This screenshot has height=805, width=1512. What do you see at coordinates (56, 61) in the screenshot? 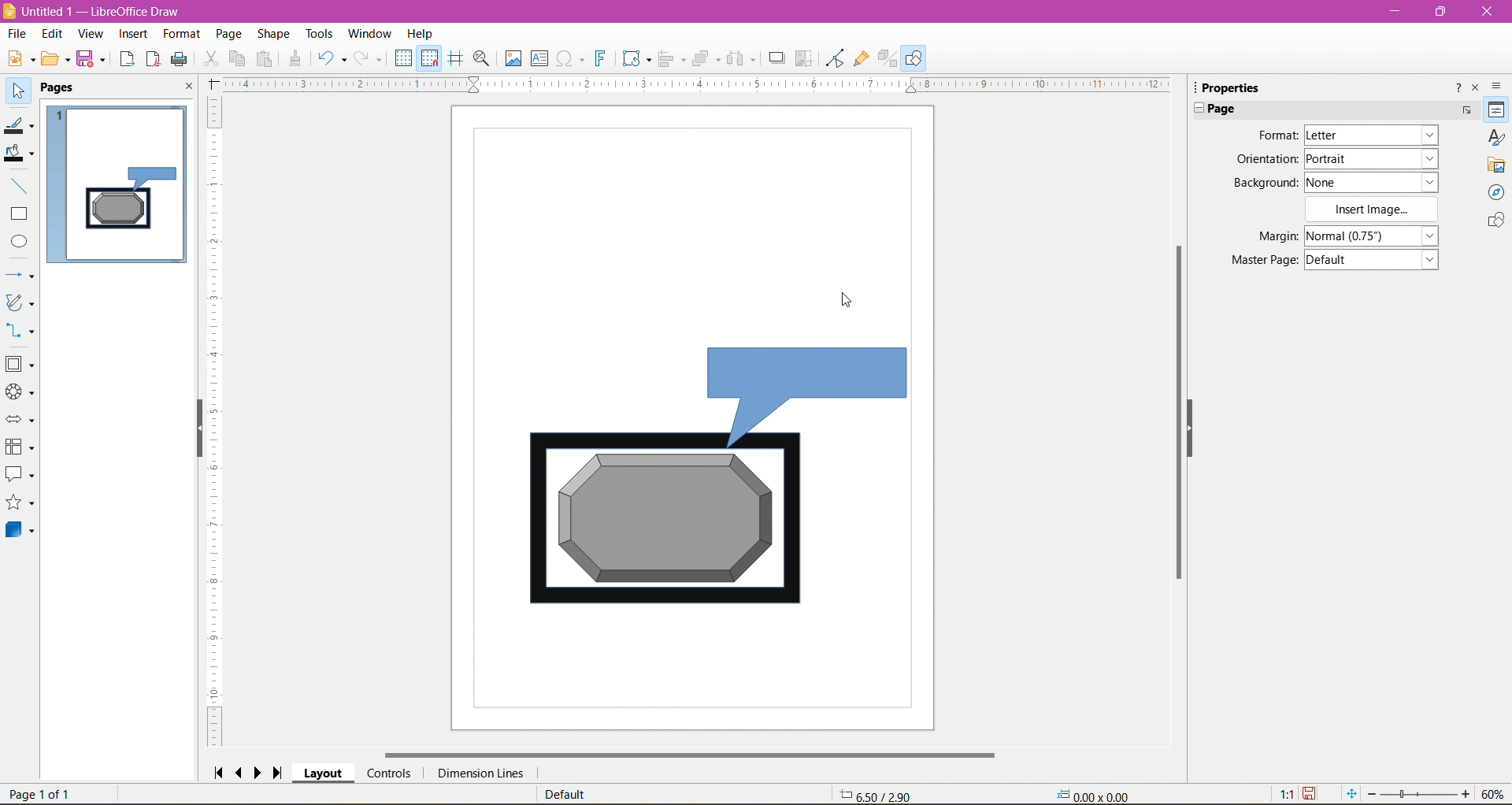
I see `Open` at bounding box center [56, 61].